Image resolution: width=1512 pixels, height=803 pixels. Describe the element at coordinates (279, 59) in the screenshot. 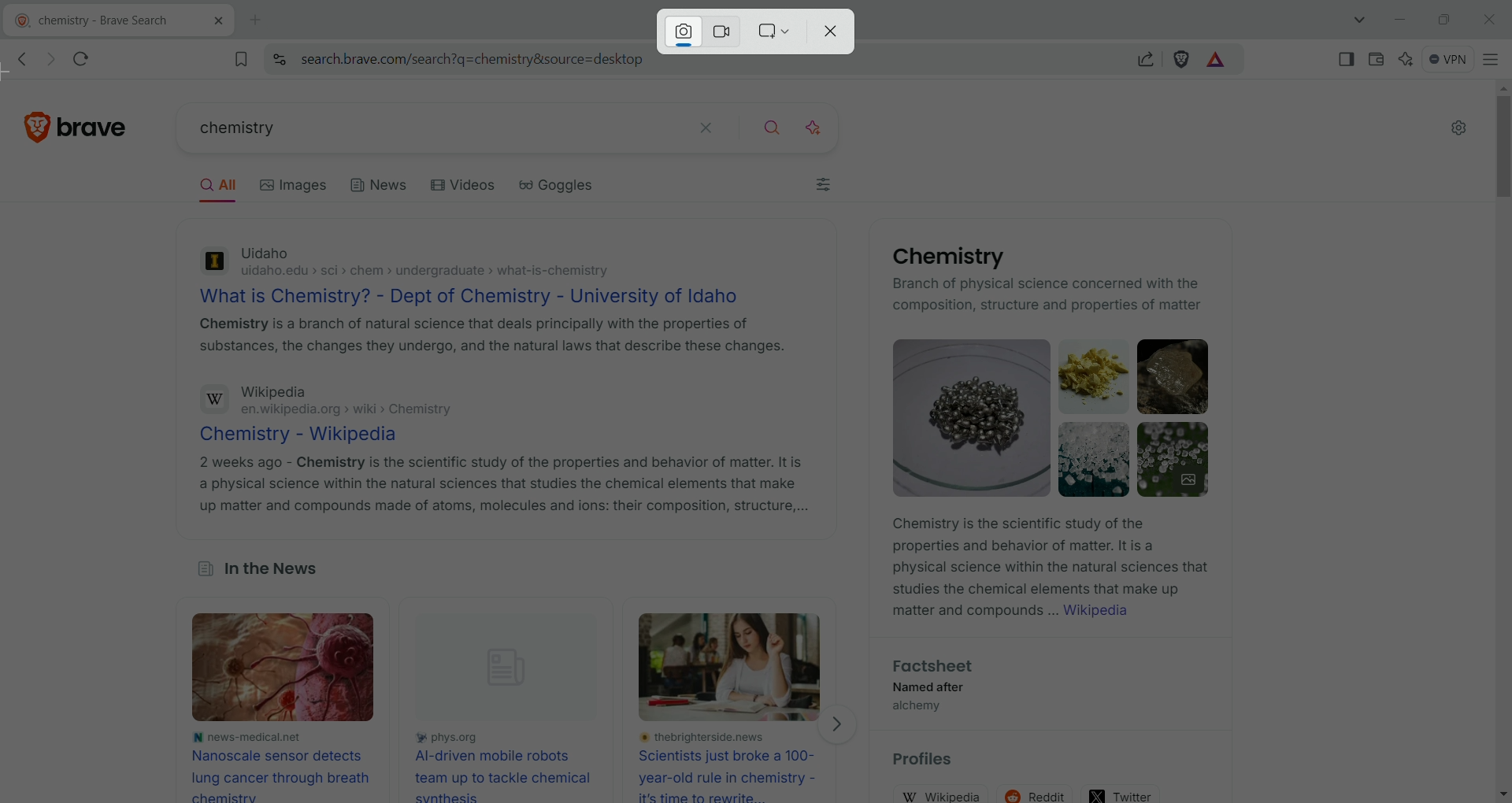

I see `view site information` at that location.